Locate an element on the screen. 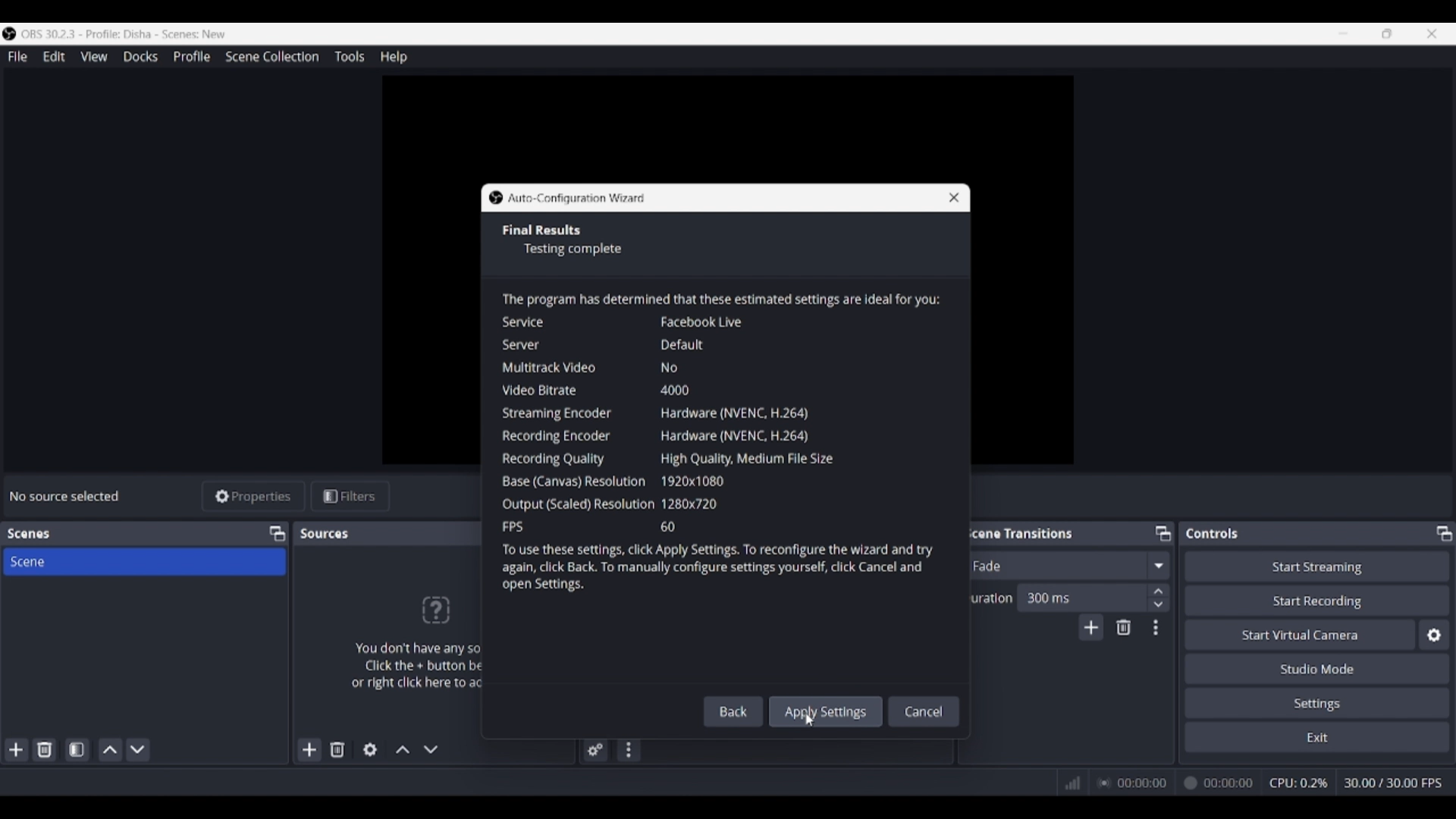 The image size is (1456, 819). Help menu is located at coordinates (394, 57).